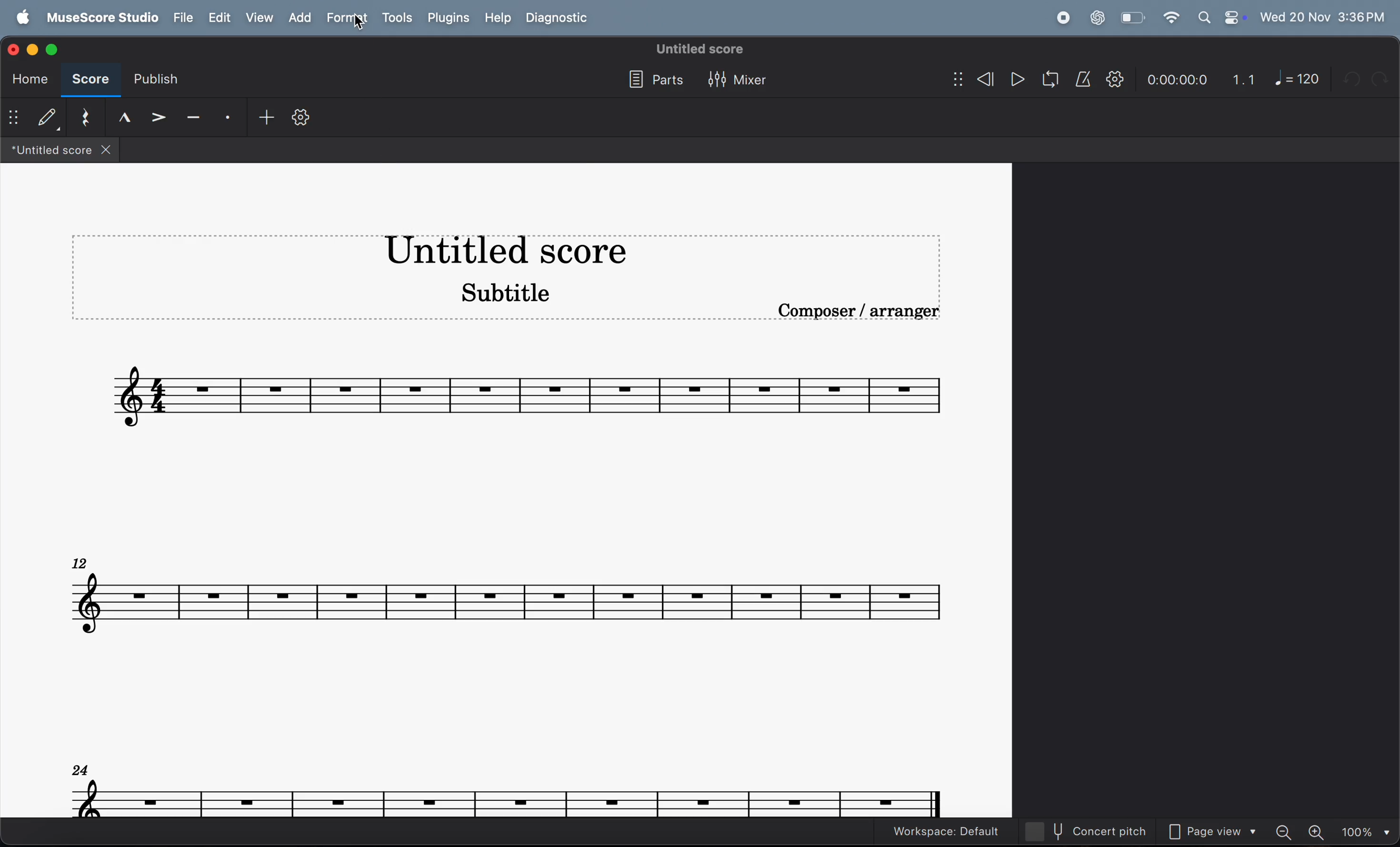  What do you see at coordinates (1323, 15) in the screenshot?
I see `date and time` at bounding box center [1323, 15].